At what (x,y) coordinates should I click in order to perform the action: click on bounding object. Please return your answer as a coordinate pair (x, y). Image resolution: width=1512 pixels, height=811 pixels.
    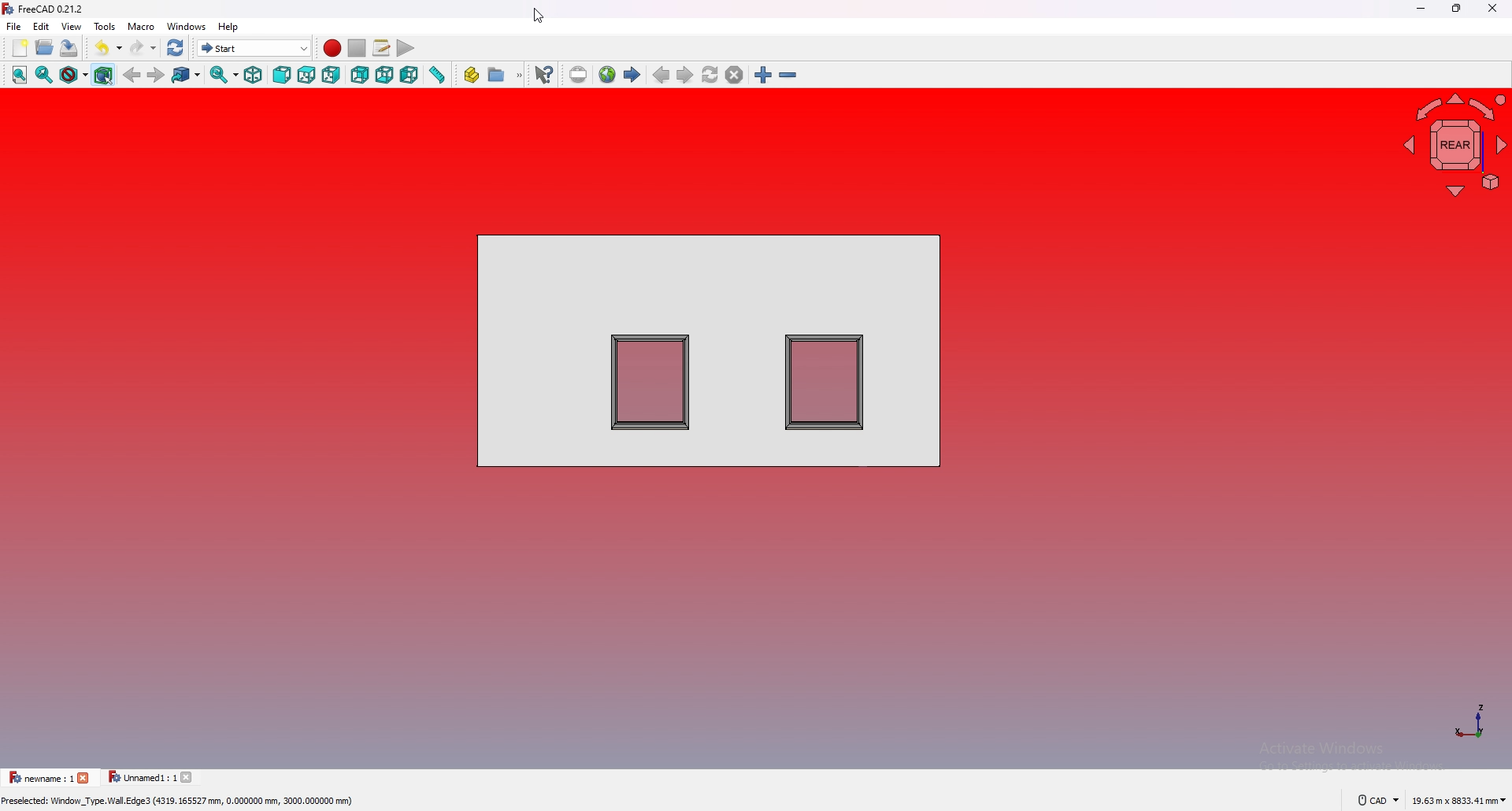
    Looking at the image, I should click on (104, 75).